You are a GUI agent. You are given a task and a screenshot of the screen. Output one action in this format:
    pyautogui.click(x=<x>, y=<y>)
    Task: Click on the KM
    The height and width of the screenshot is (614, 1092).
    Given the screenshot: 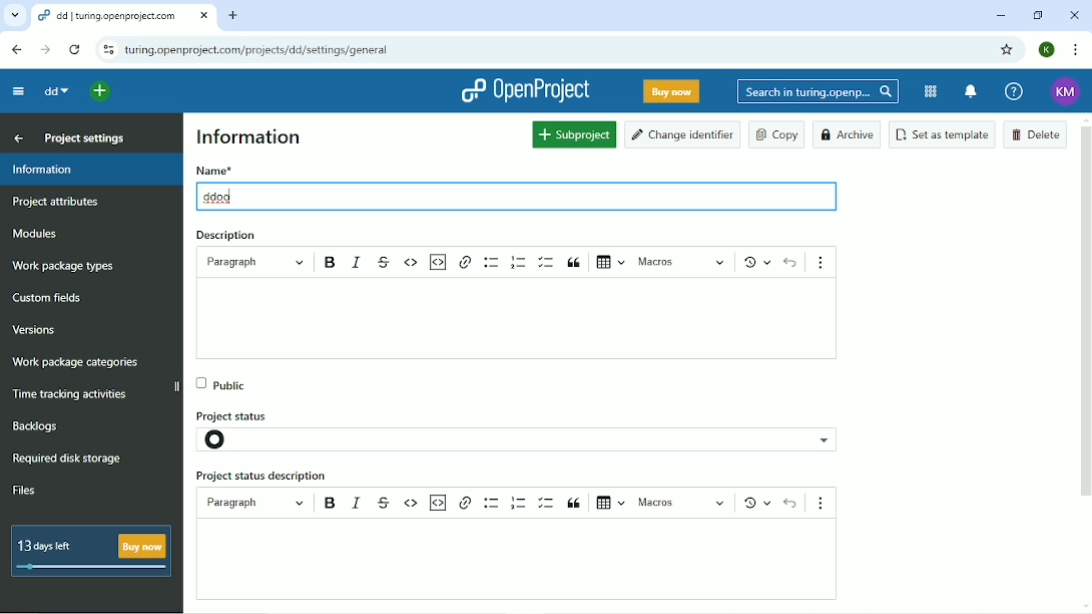 What is the action you would take?
    pyautogui.click(x=1068, y=90)
    